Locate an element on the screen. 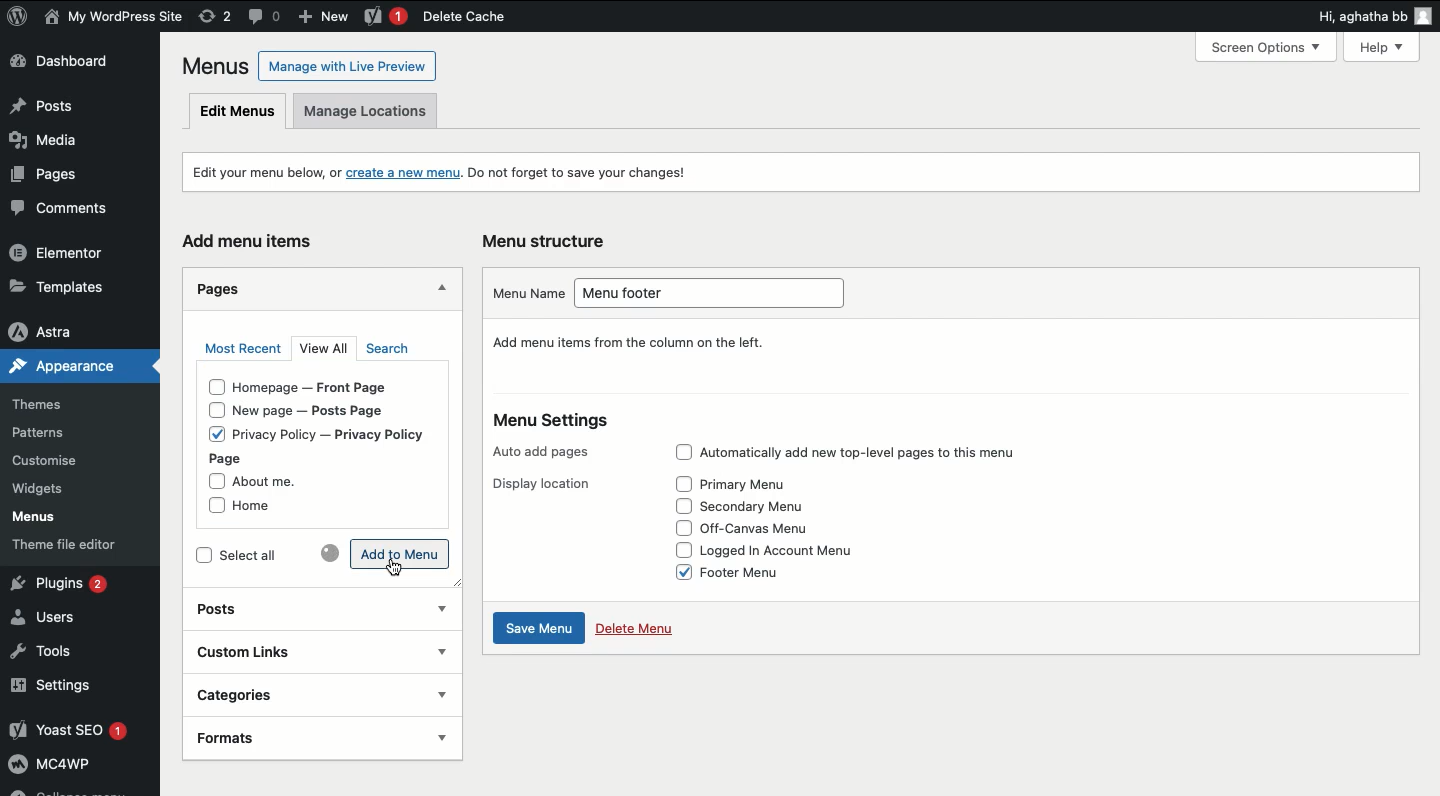 This screenshot has height=796, width=1440. checkbox is located at coordinates (213, 388).